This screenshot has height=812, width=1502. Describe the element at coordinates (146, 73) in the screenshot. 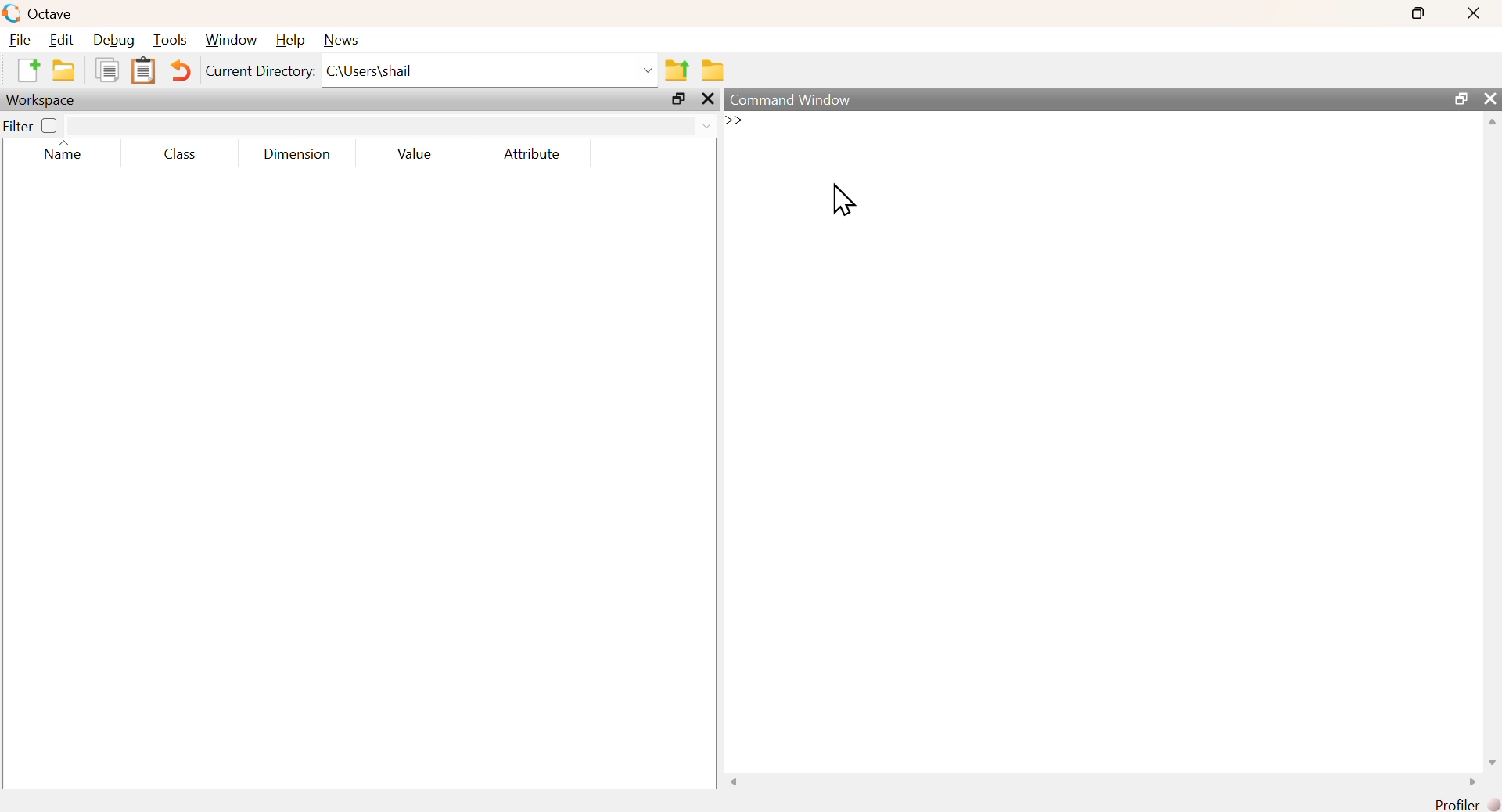

I see `paste` at that location.